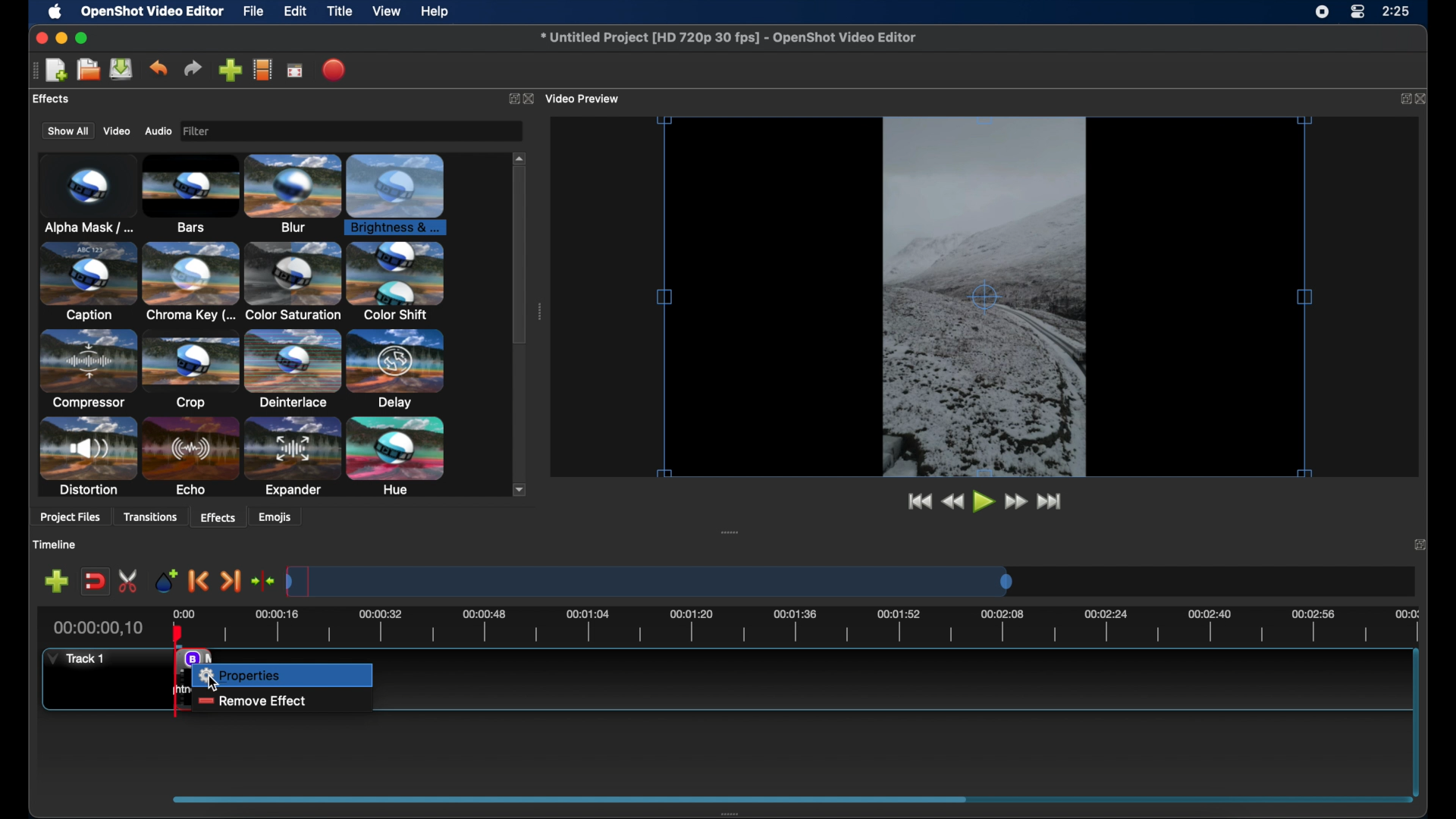  I want to click on redo, so click(193, 68).